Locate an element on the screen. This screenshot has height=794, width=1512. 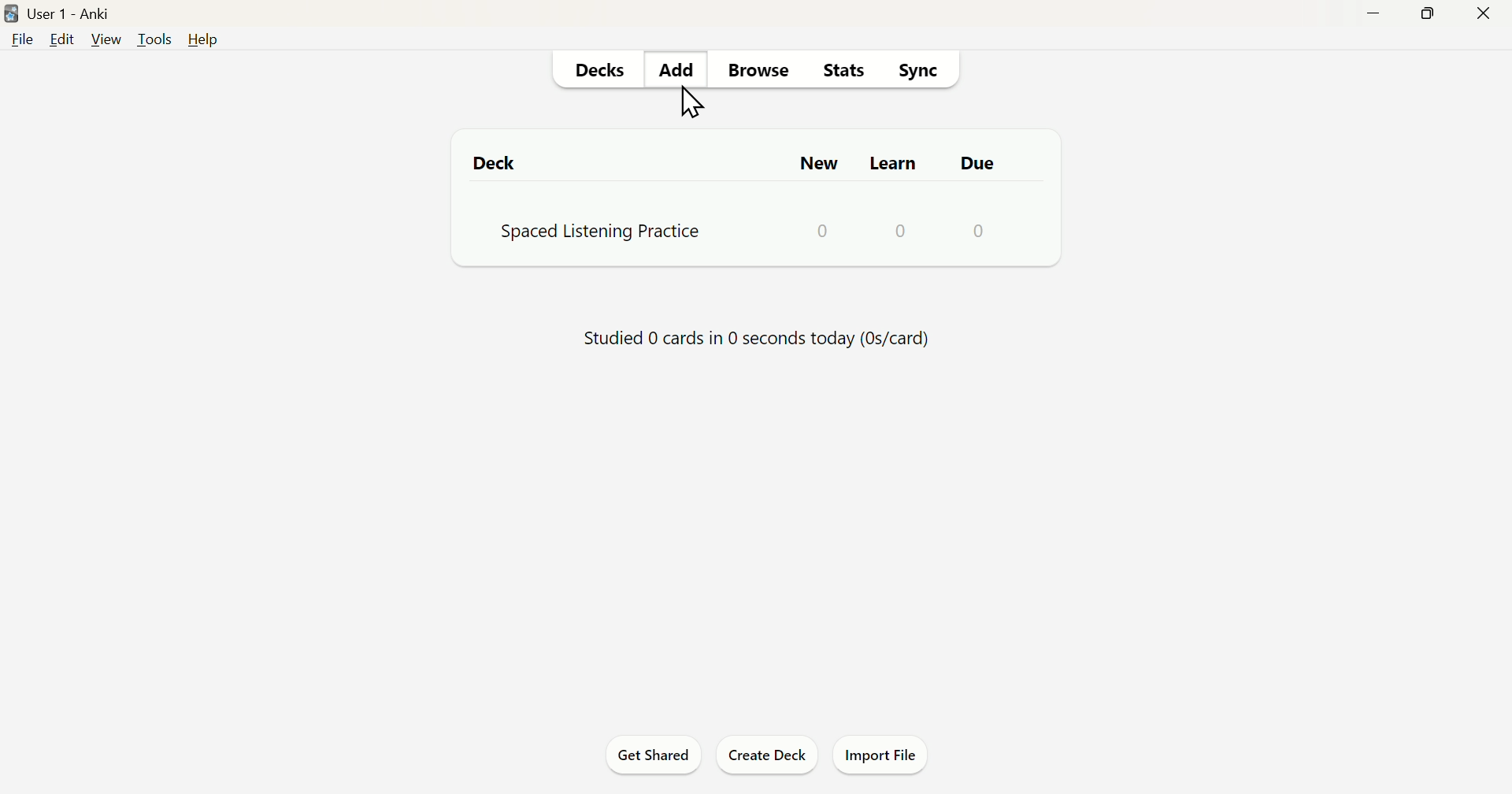
Spaced Listening Practice is located at coordinates (733, 233).